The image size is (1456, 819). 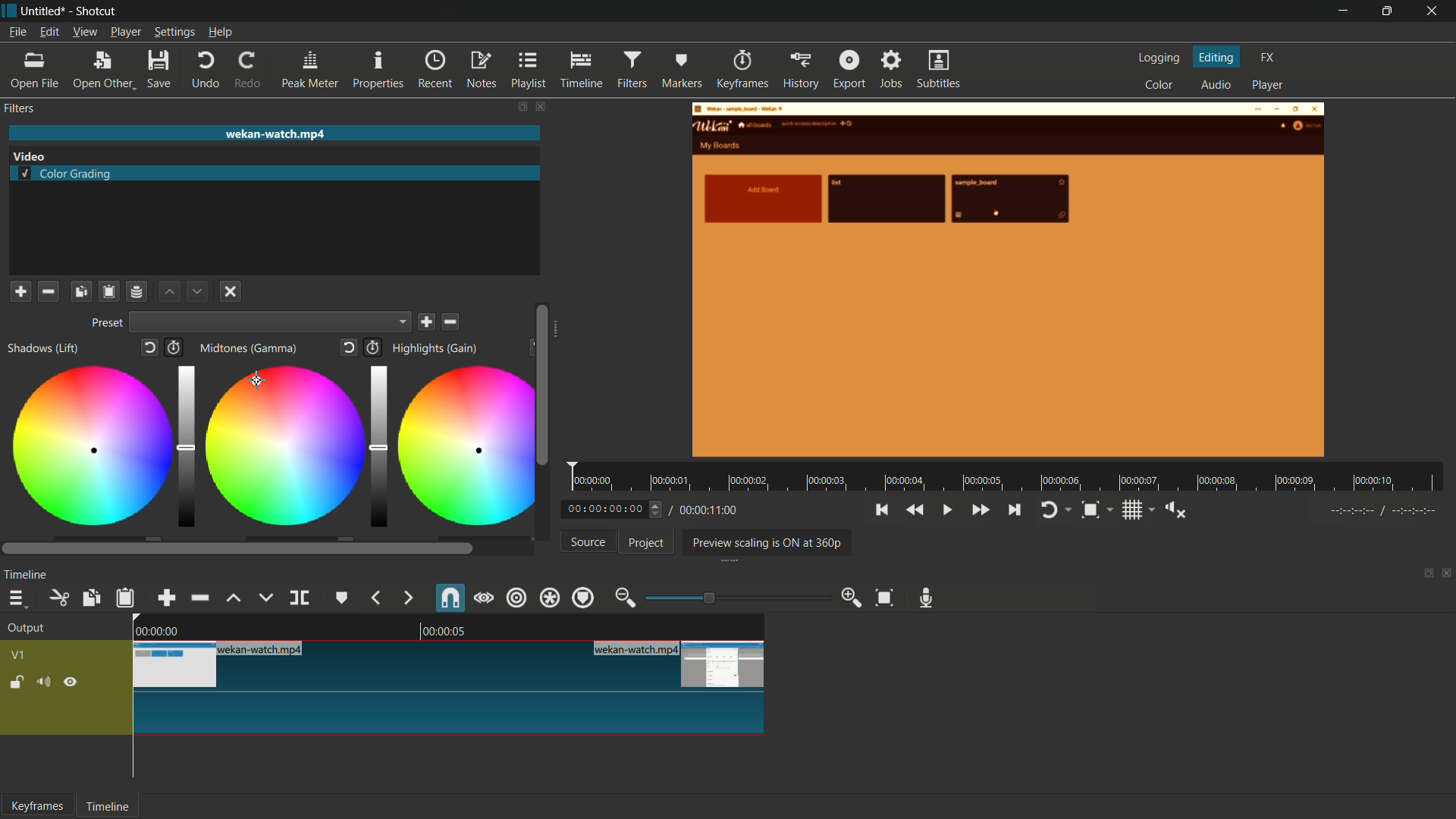 What do you see at coordinates (1011, 478) in the screenshot?
I see `time` at bounding box center [1011, 478].